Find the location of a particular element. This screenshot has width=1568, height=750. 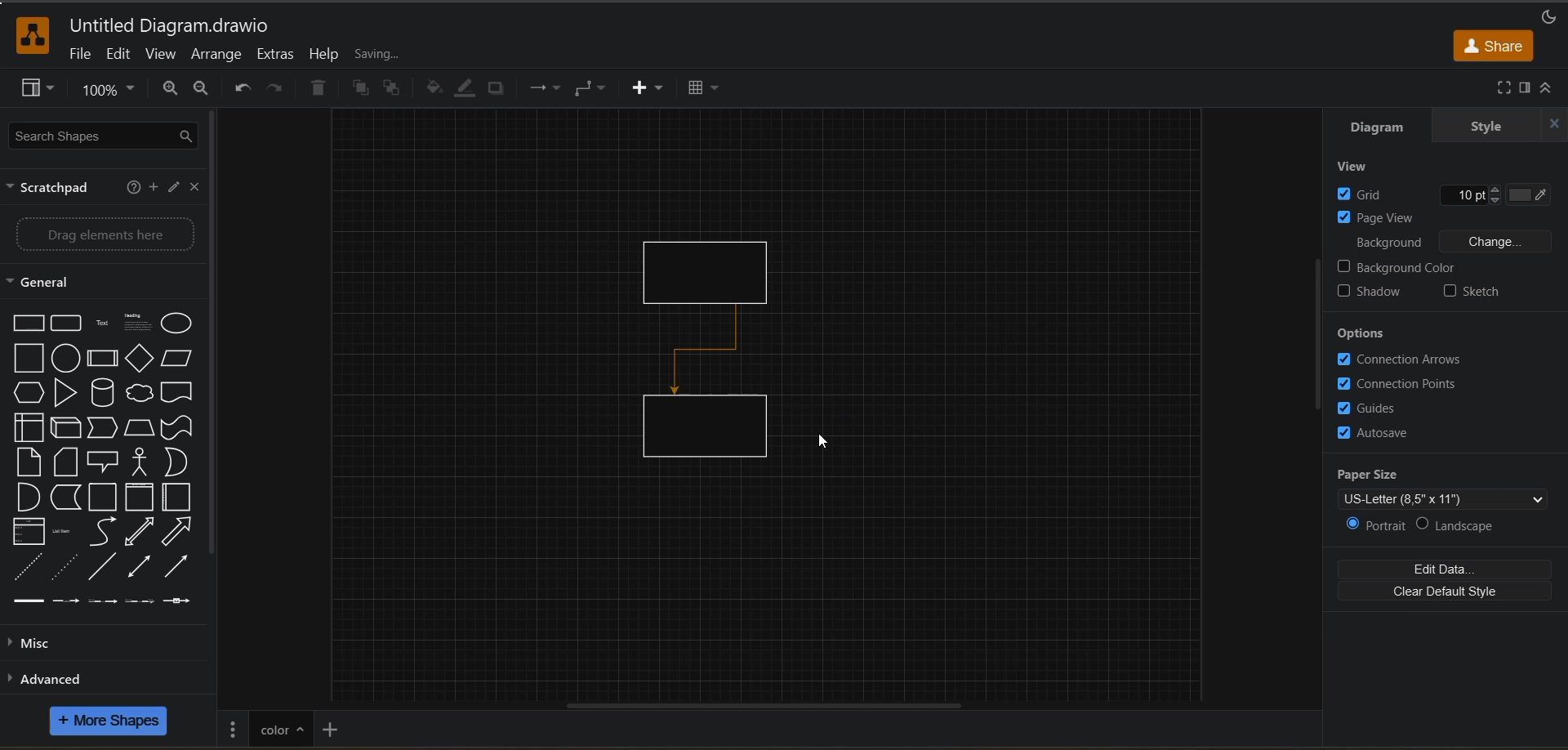

to back is located at coordinates (390, 90).